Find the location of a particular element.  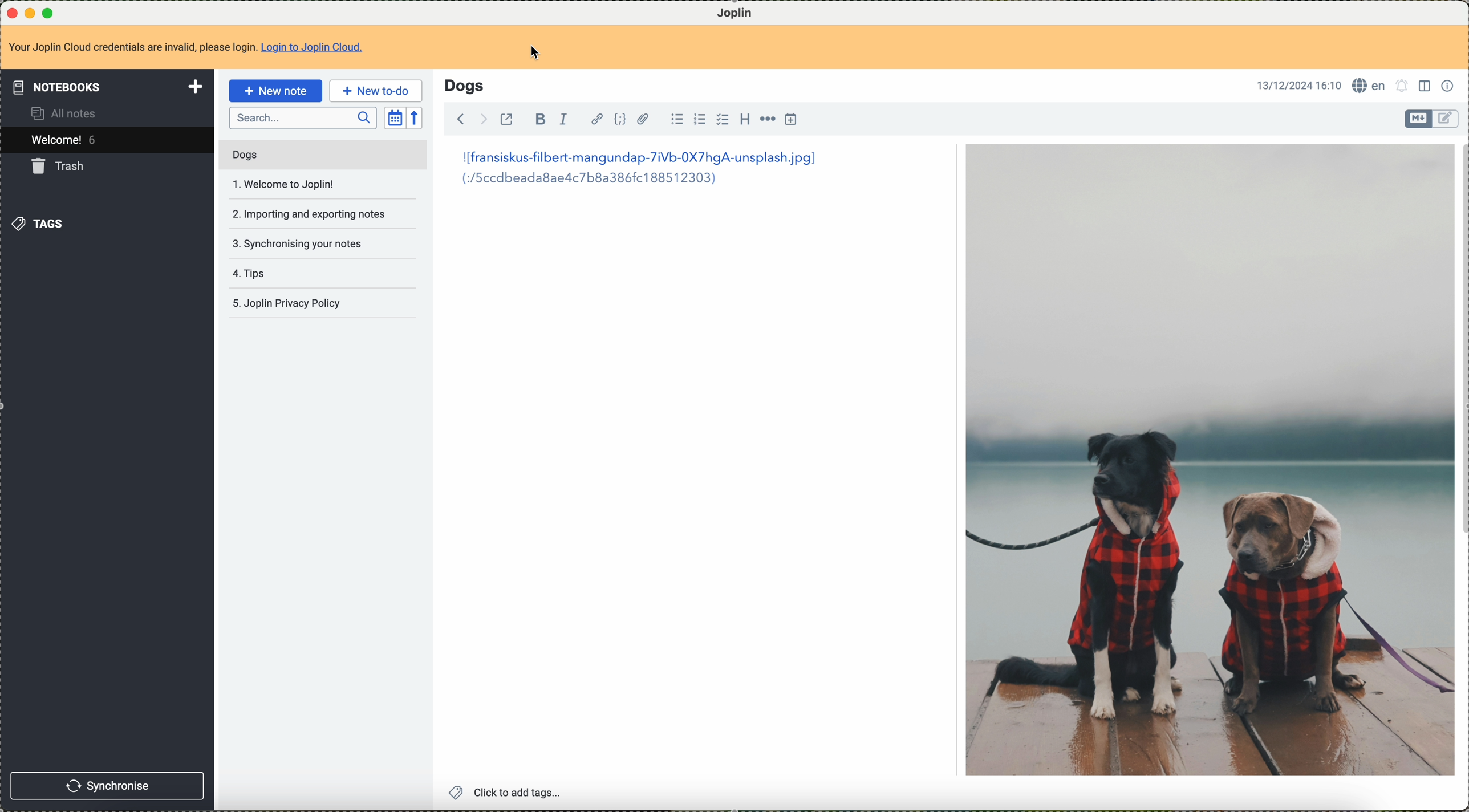

heading is located at coordinates (745, 120).